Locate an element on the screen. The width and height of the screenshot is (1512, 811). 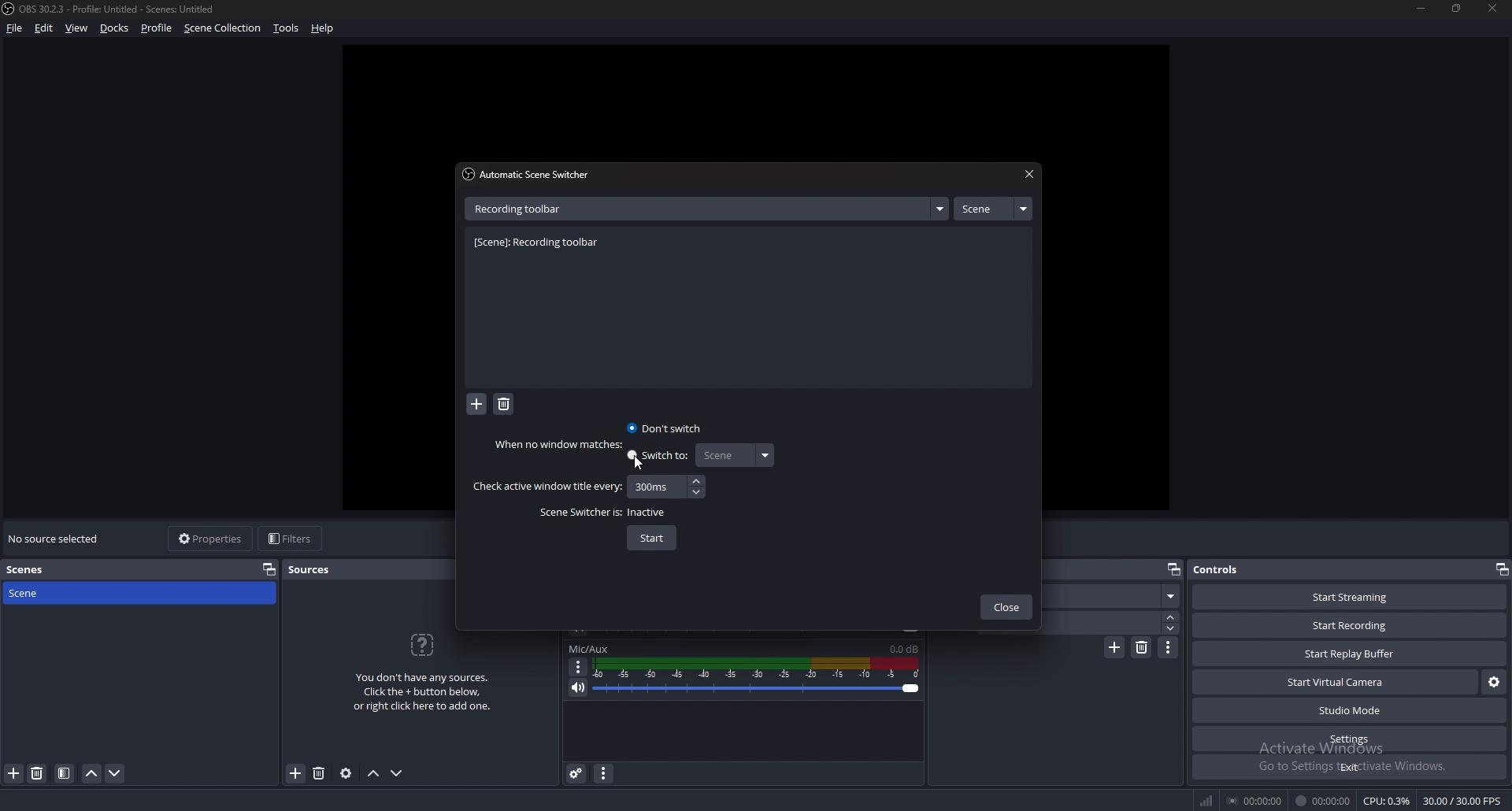
tools is located at coordinates (287, 28).